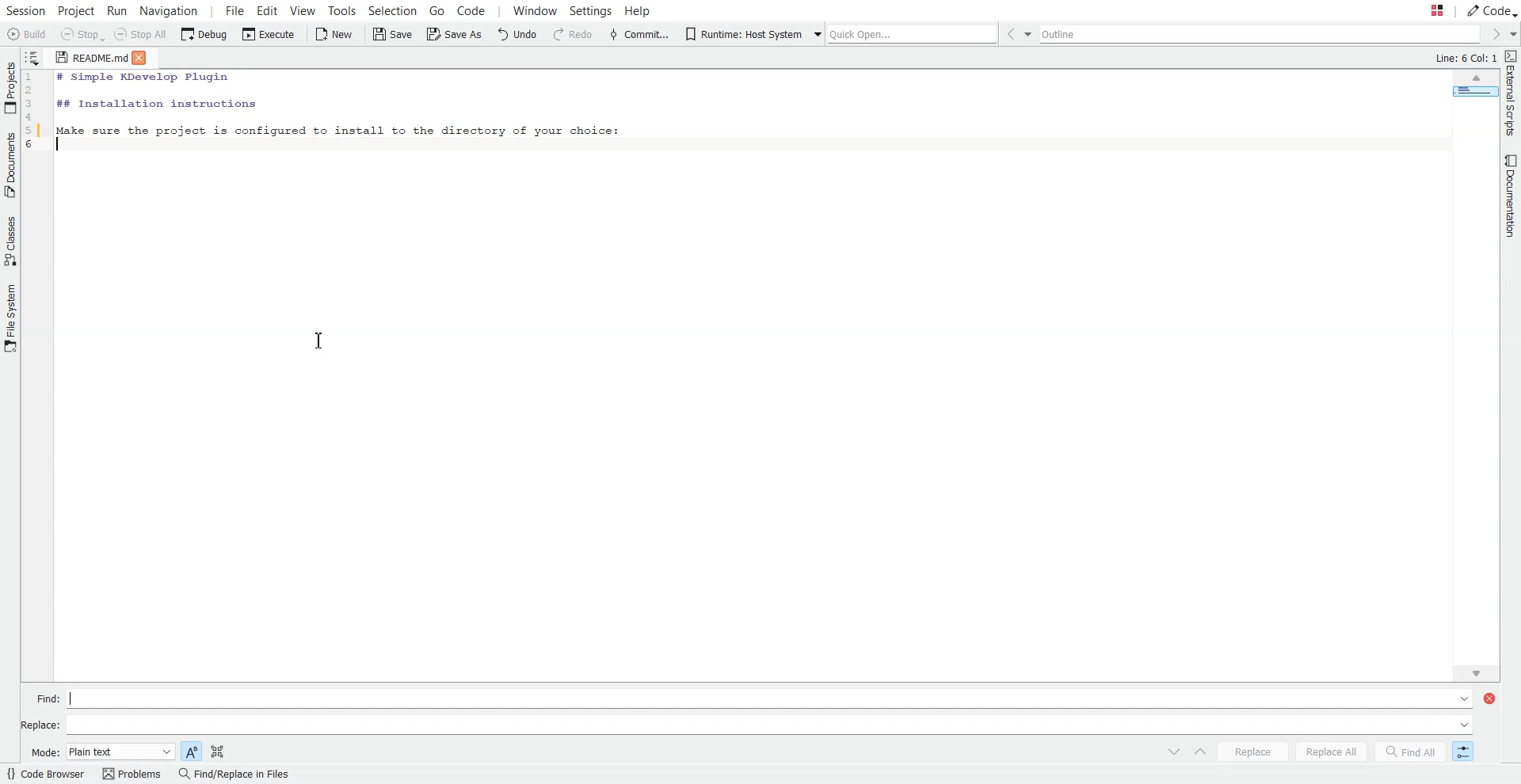  Describe the element at coordinates (170, 10) in the screenshot. I see `Navigation` at that location.